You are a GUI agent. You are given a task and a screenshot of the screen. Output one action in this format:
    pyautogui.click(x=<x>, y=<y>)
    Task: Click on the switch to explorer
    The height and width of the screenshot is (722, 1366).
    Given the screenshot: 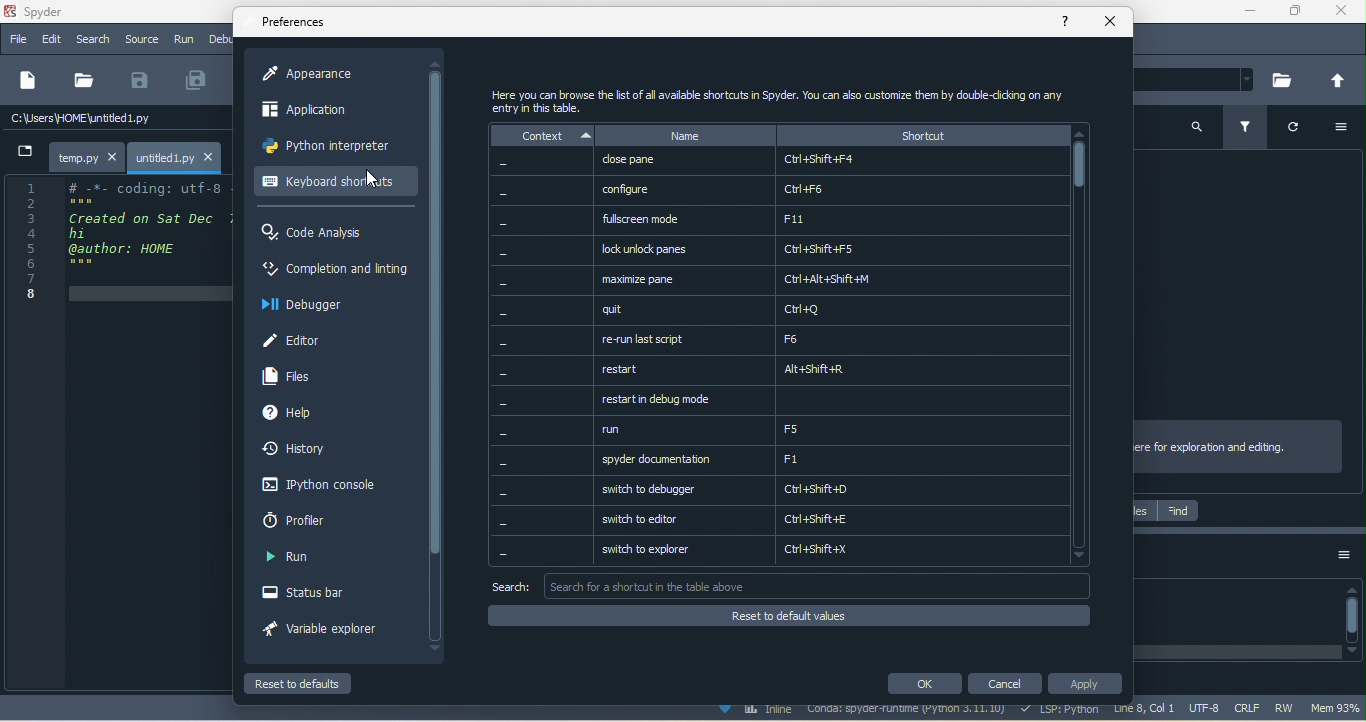 What is the action you would take?
    pyautogui.click(x=823, y=553)
    